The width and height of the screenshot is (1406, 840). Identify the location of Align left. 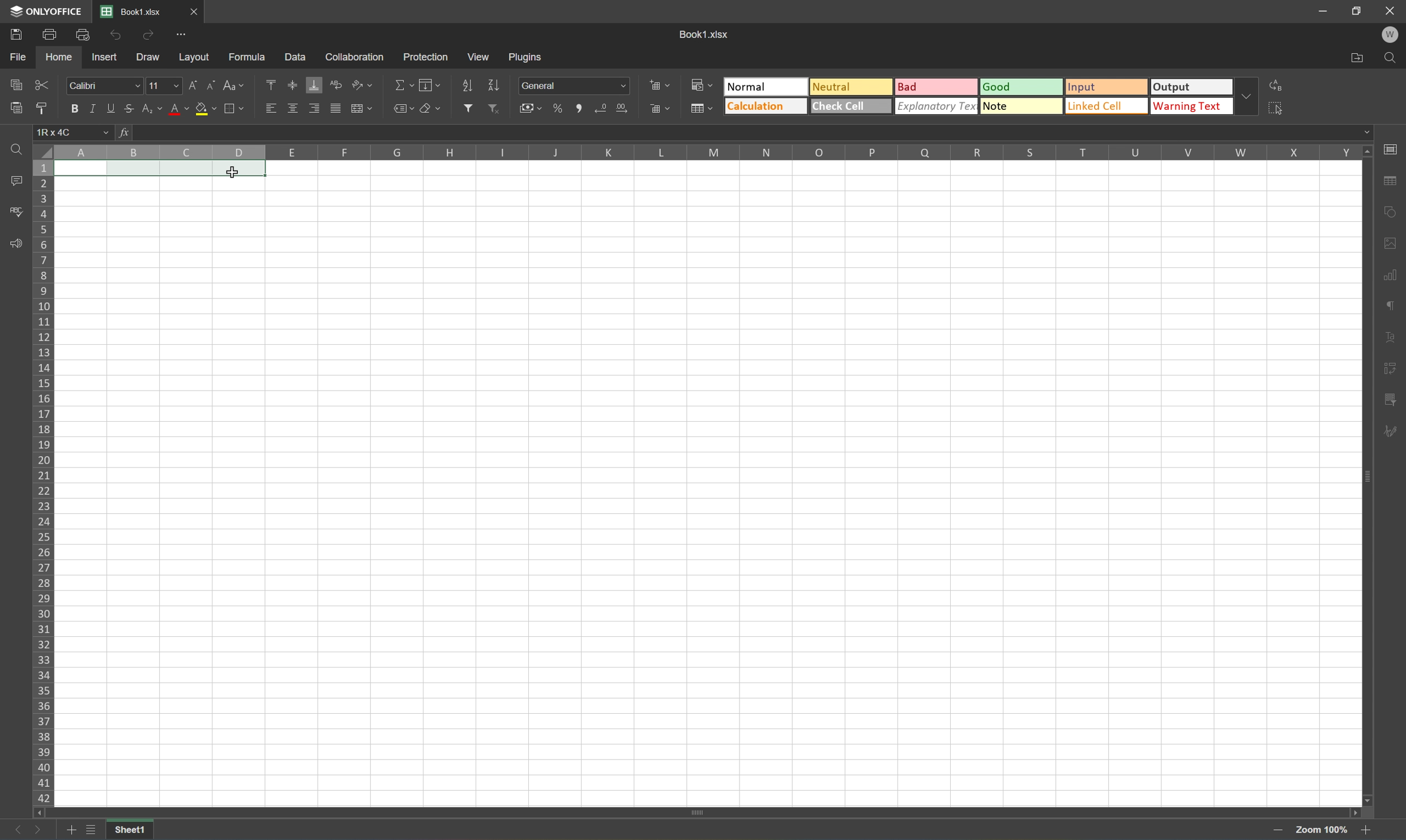
(270, 109).